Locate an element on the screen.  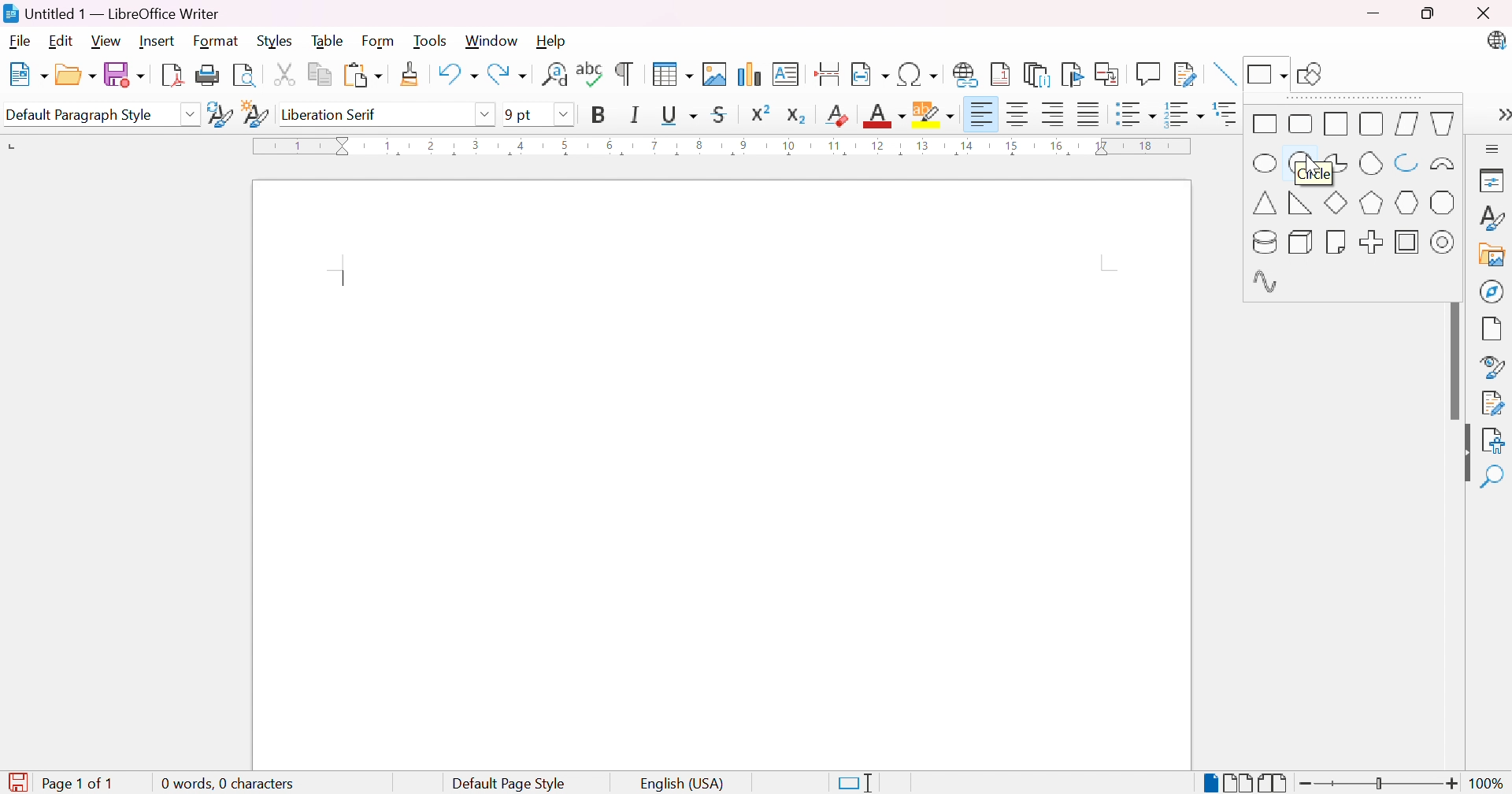
Hide is located at coordinates (1462, 455).